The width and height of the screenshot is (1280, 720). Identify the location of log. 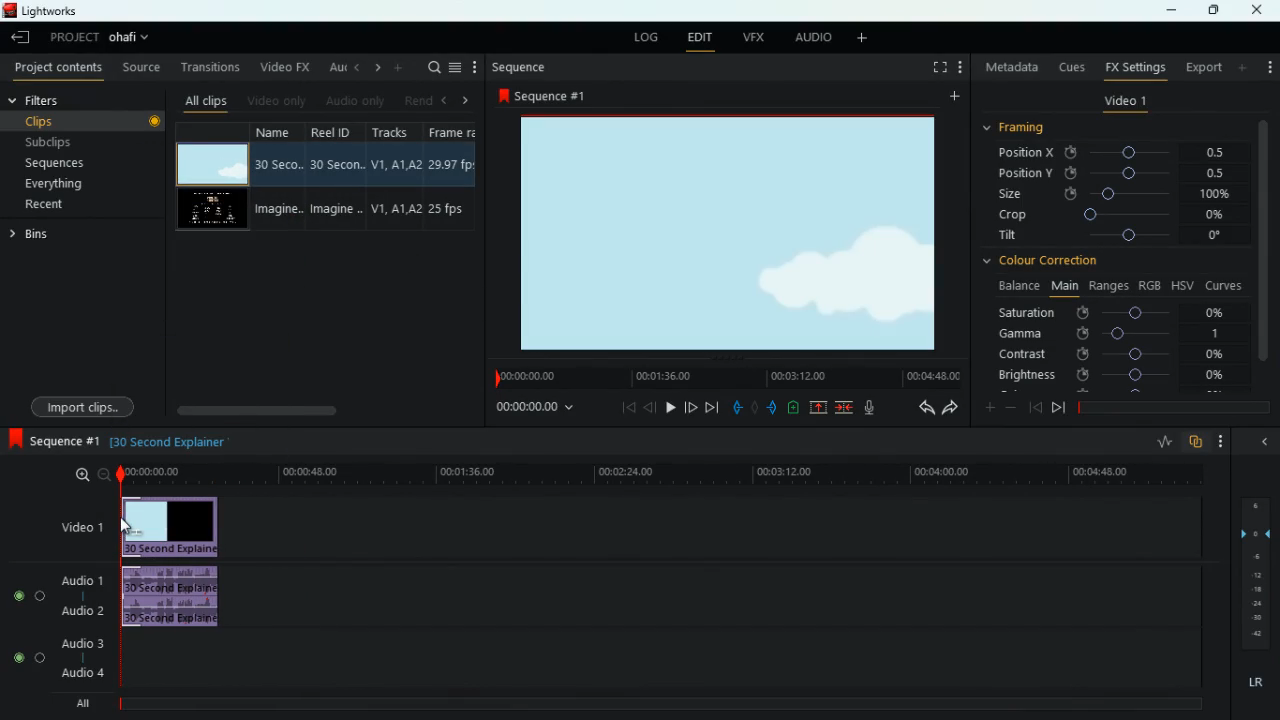
(650, 37).